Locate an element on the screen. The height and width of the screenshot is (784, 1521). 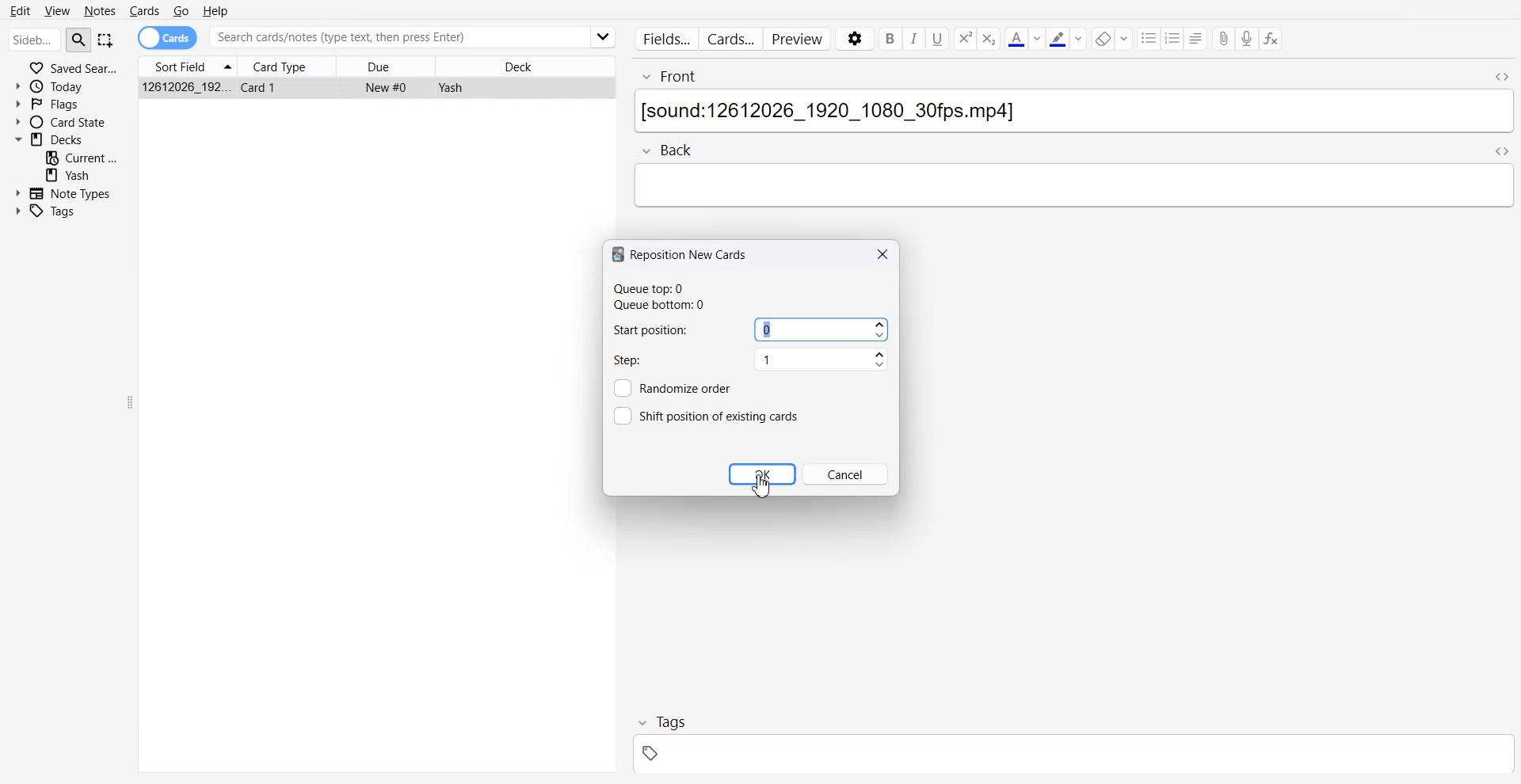
Card 1 is located at coordinates (262, 89).